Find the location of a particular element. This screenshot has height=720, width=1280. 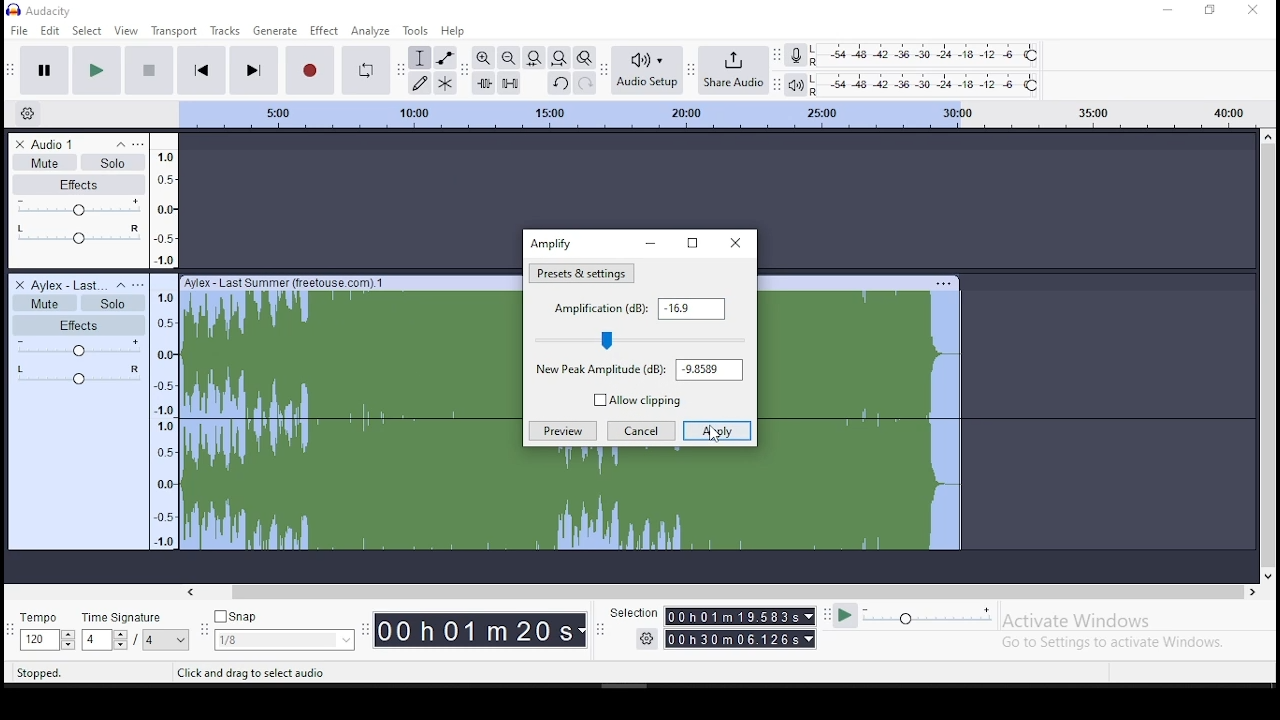

share audio is located at coordinates (736, 68).